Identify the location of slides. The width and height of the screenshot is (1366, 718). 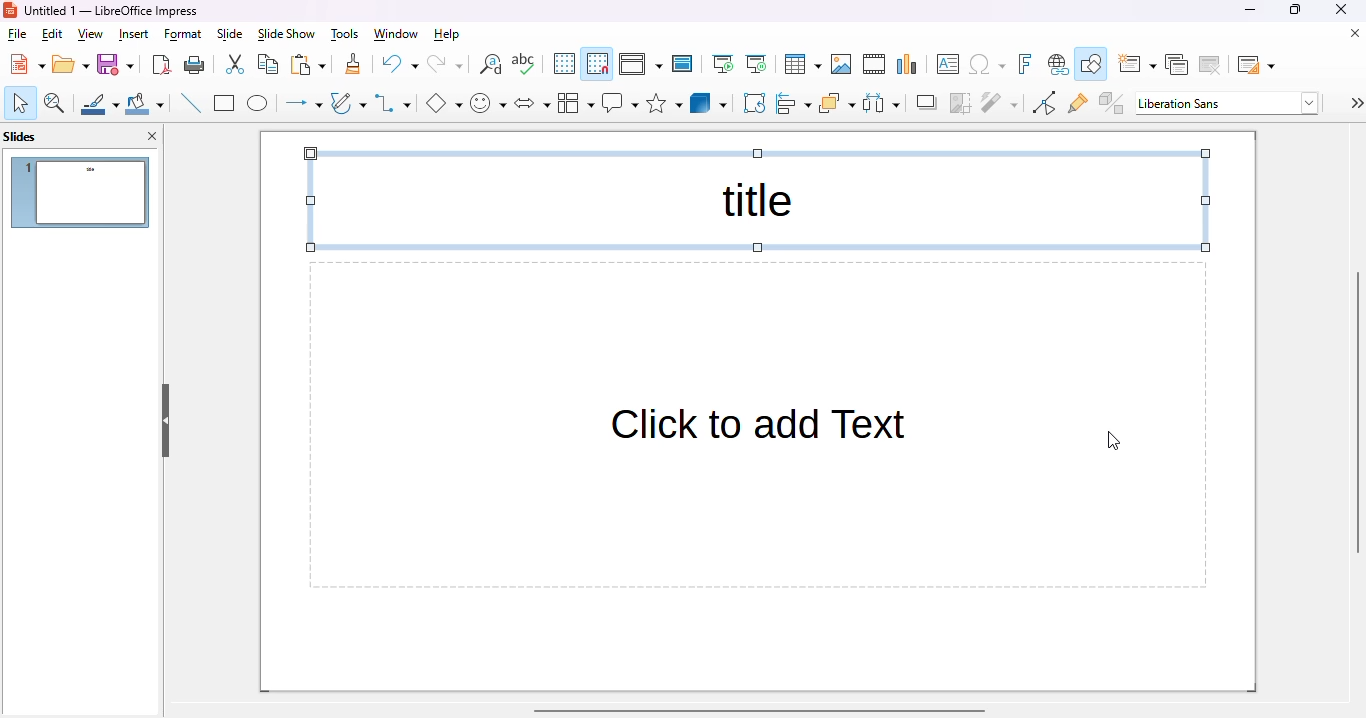
(21, 137).